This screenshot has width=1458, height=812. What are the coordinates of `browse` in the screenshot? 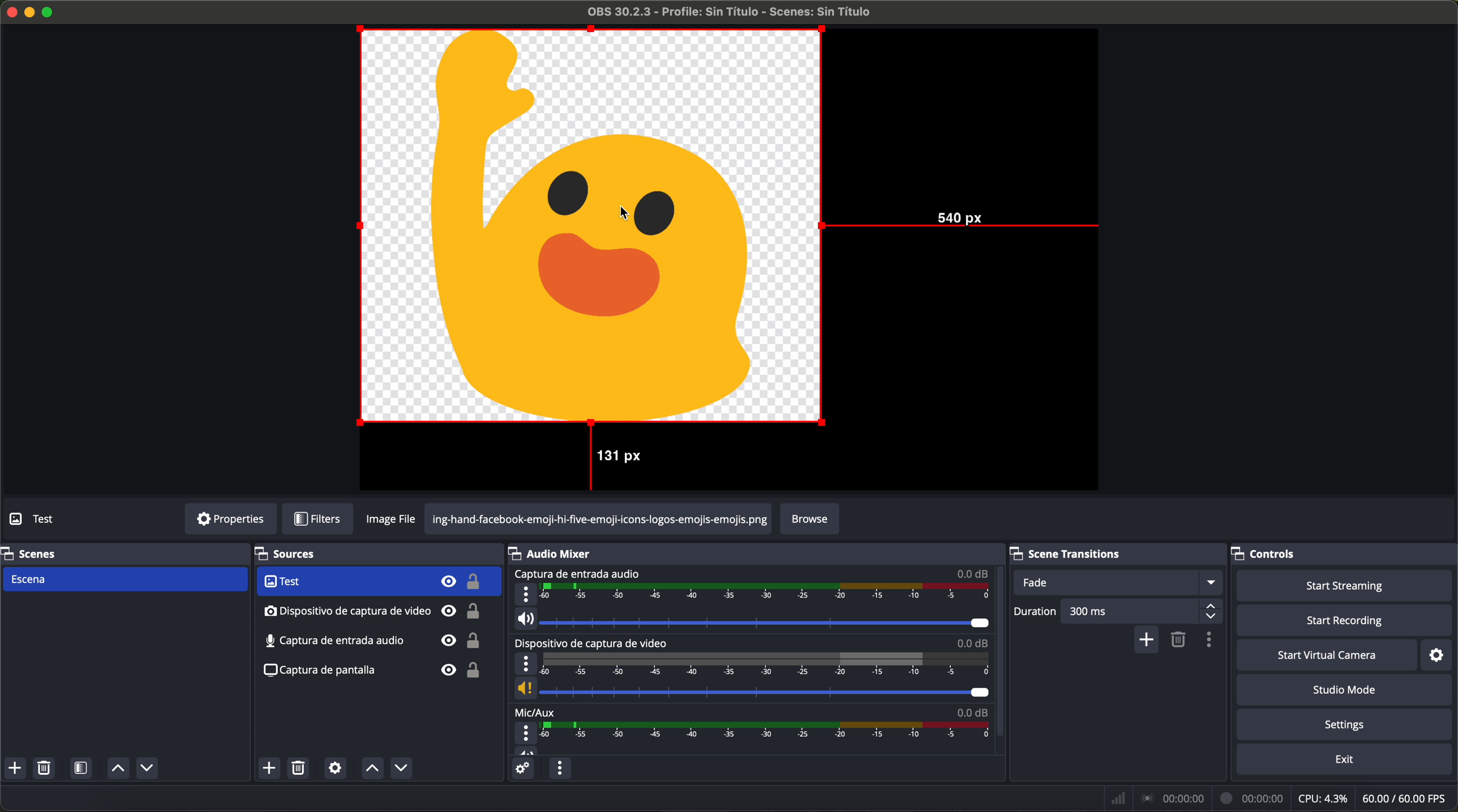 It's located at (810, 519).